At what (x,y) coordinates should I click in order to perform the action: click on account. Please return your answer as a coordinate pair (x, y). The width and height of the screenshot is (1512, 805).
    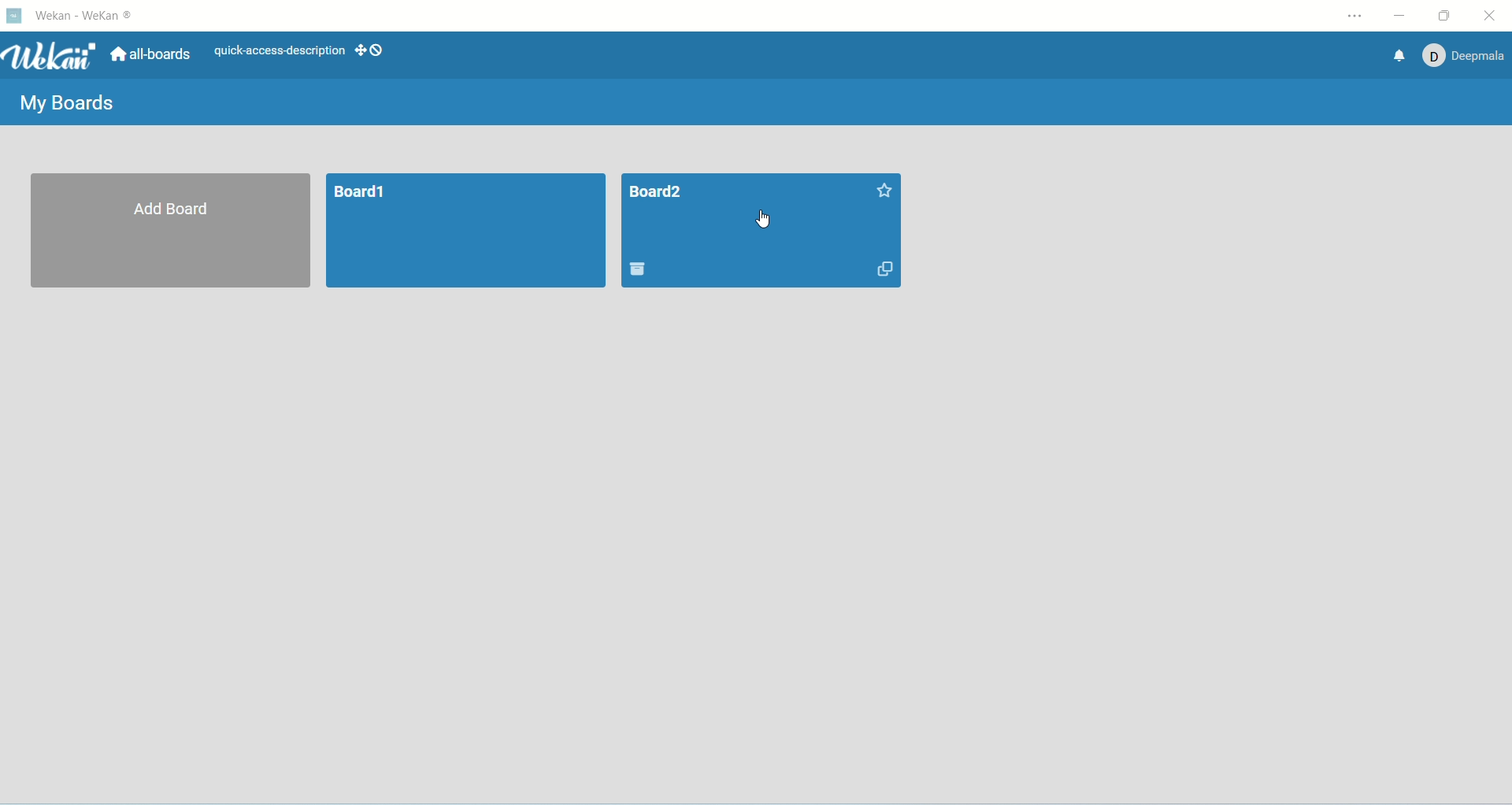
    Looking at the image, I should click on (1468, 57).